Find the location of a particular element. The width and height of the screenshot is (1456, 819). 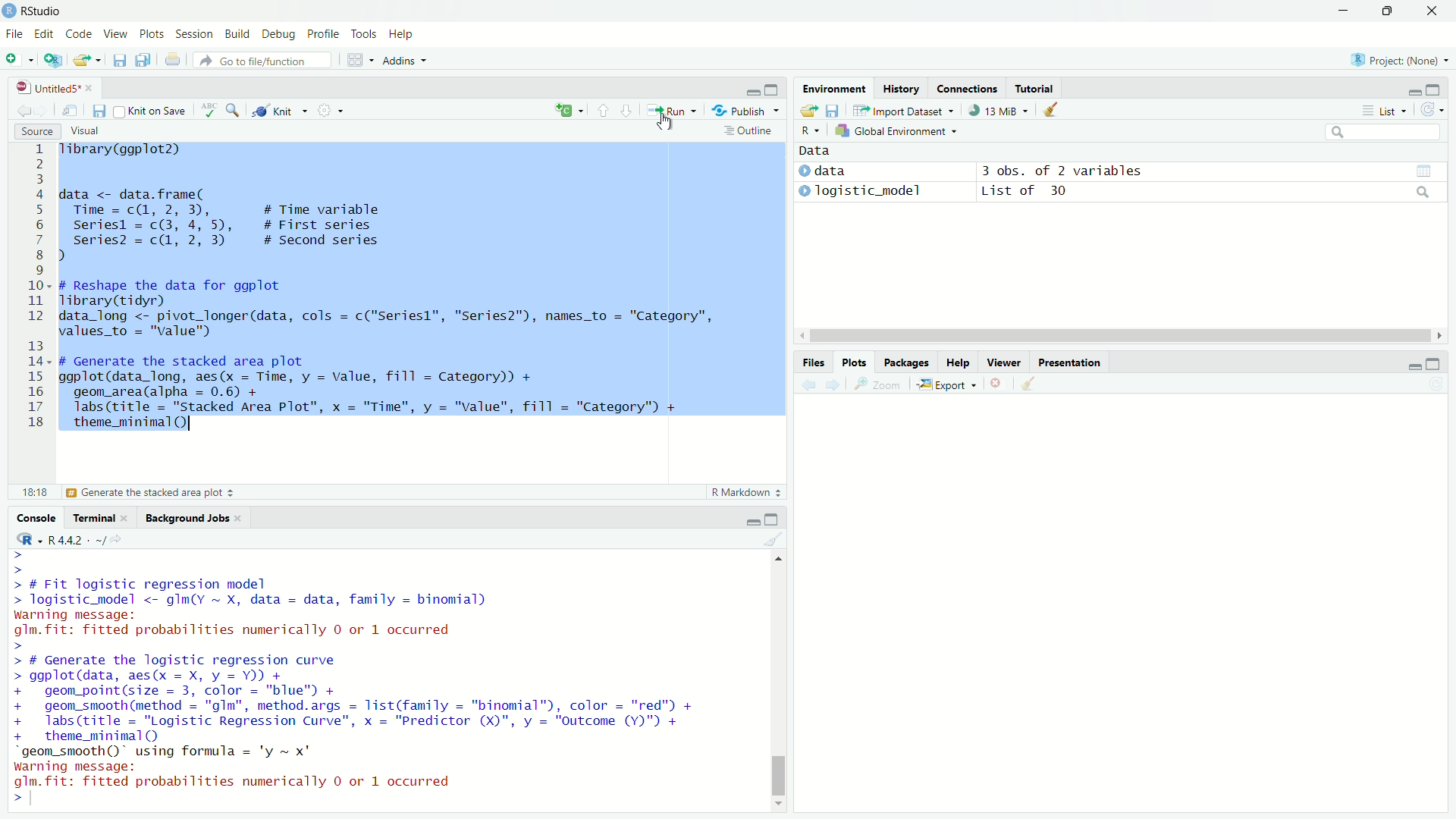

6:42 is located at coordinates (33, 491).